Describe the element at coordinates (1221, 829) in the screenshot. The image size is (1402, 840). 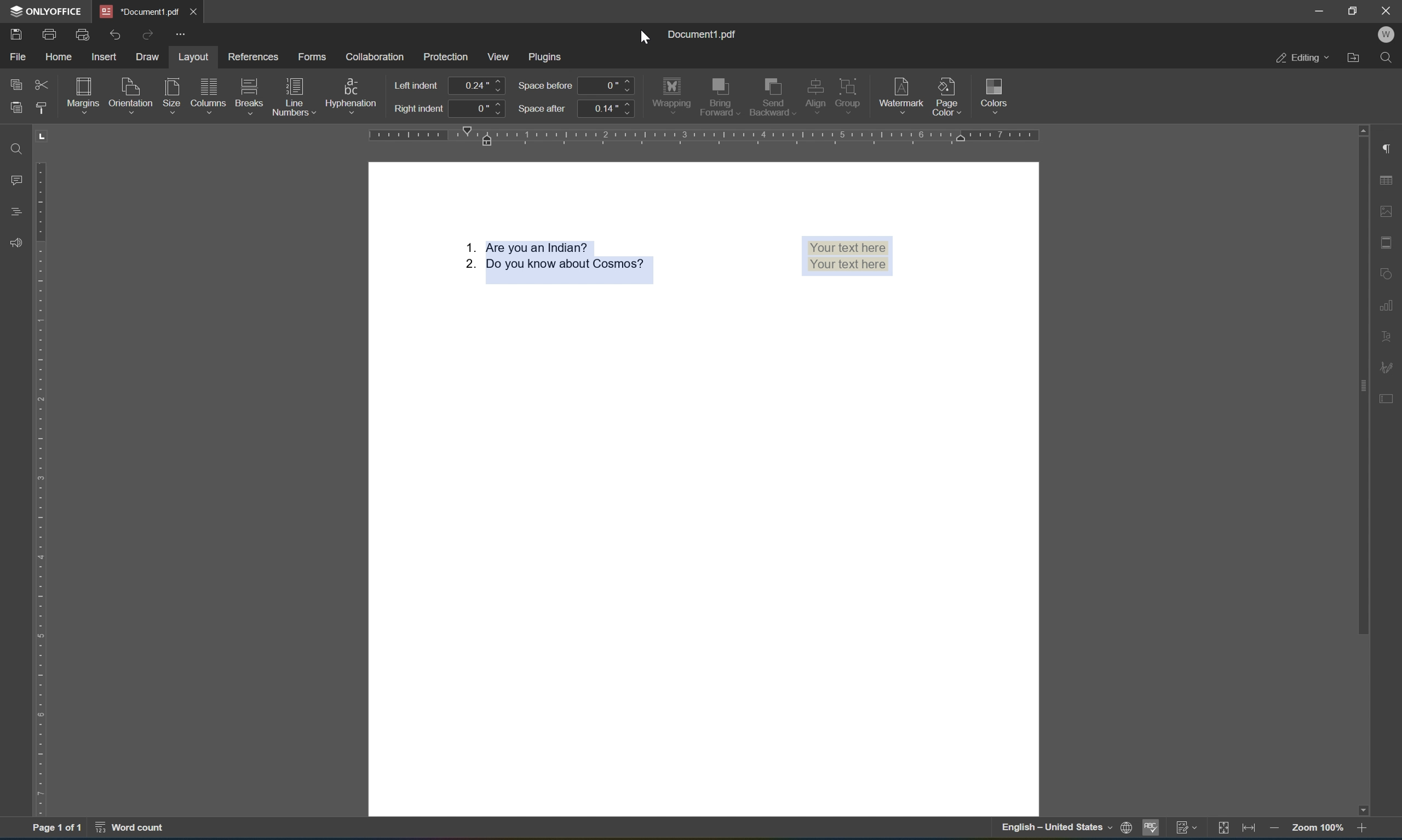
I see `fit to slide` at that location.